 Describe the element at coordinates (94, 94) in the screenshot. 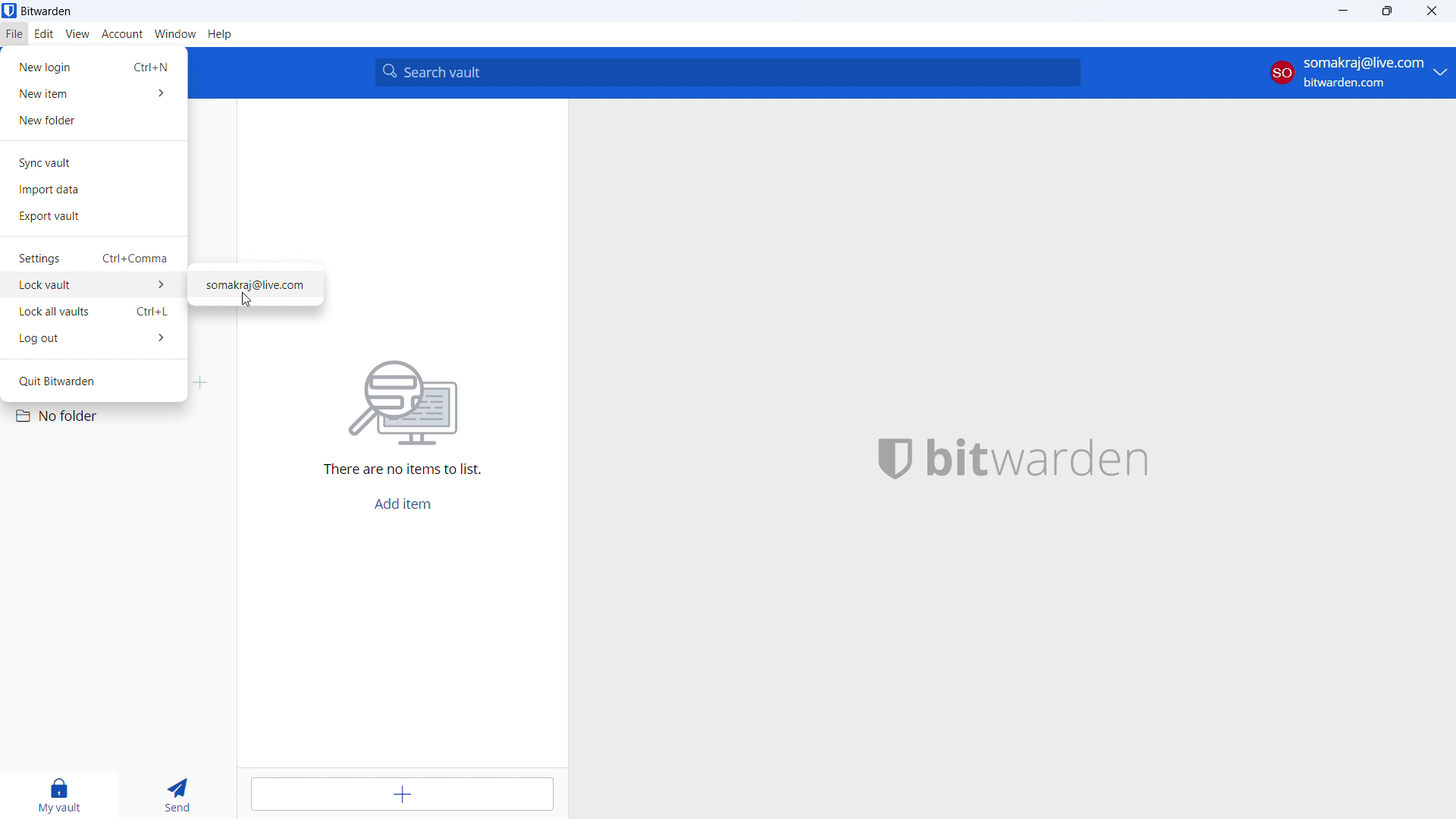

I see `new item` at that location.